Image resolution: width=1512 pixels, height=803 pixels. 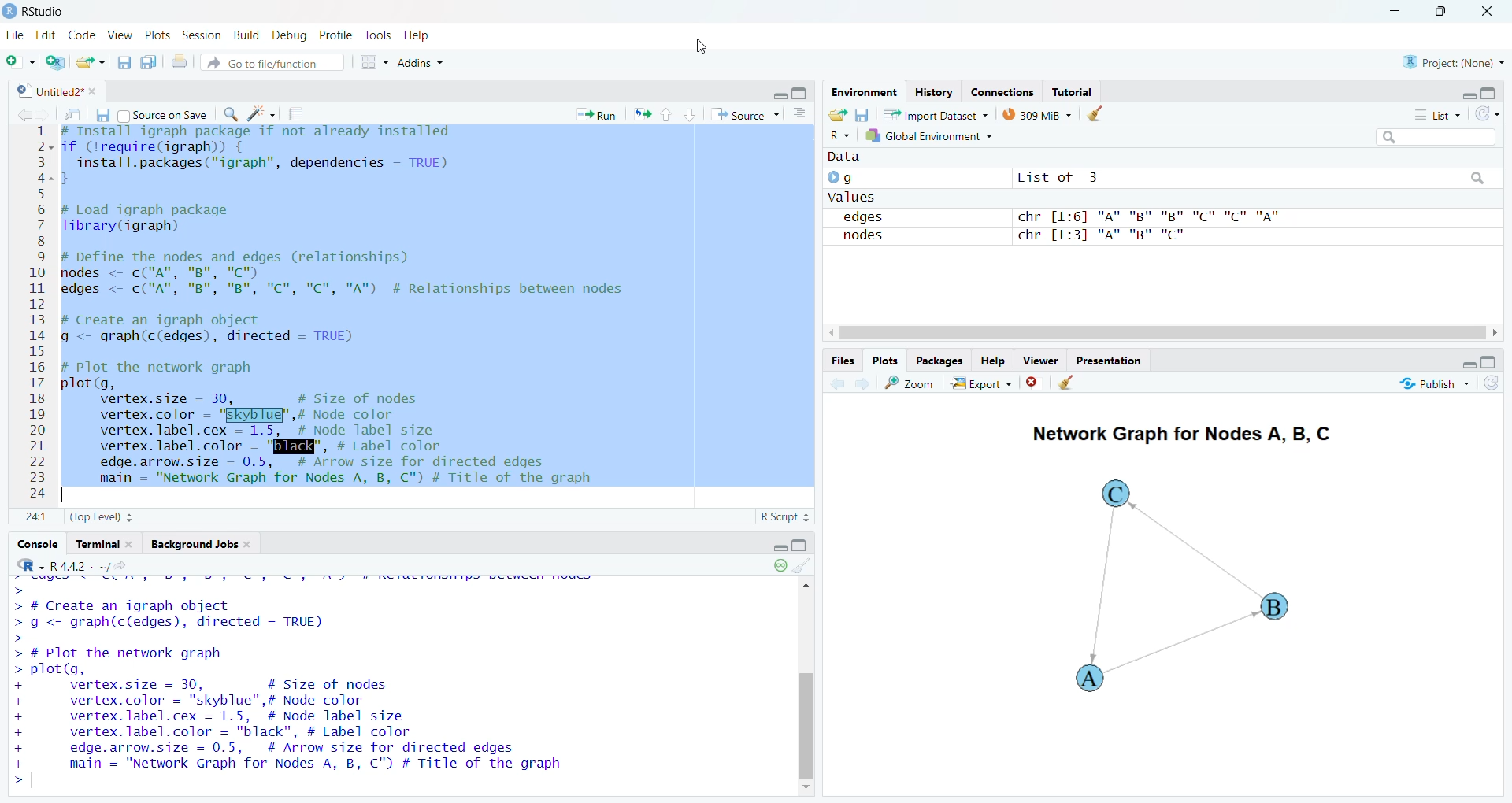 What do you see at coordinates (102, 117) in the screenshot?
I see `save` at bounding box center [102, 117].